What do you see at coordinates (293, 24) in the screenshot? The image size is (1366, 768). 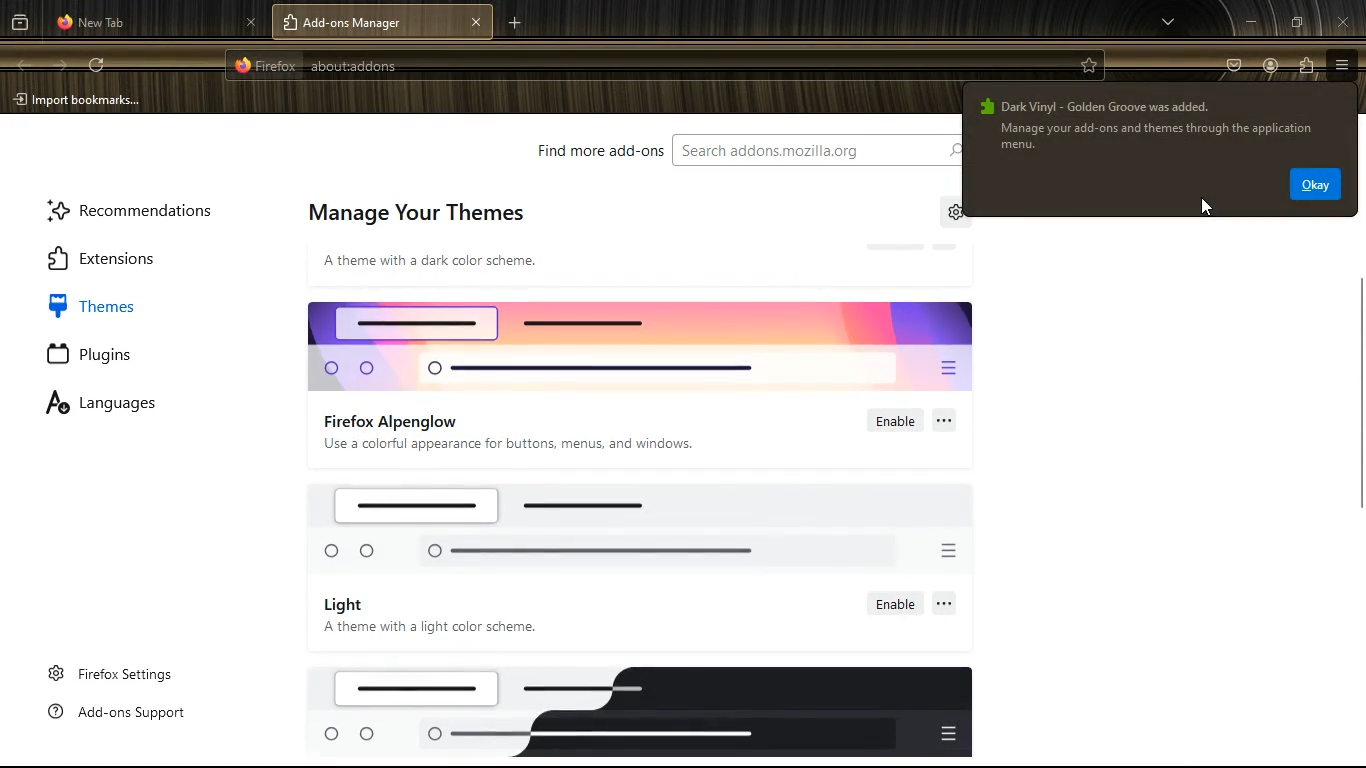 I see `add tab` at bounding box center [293, 24].